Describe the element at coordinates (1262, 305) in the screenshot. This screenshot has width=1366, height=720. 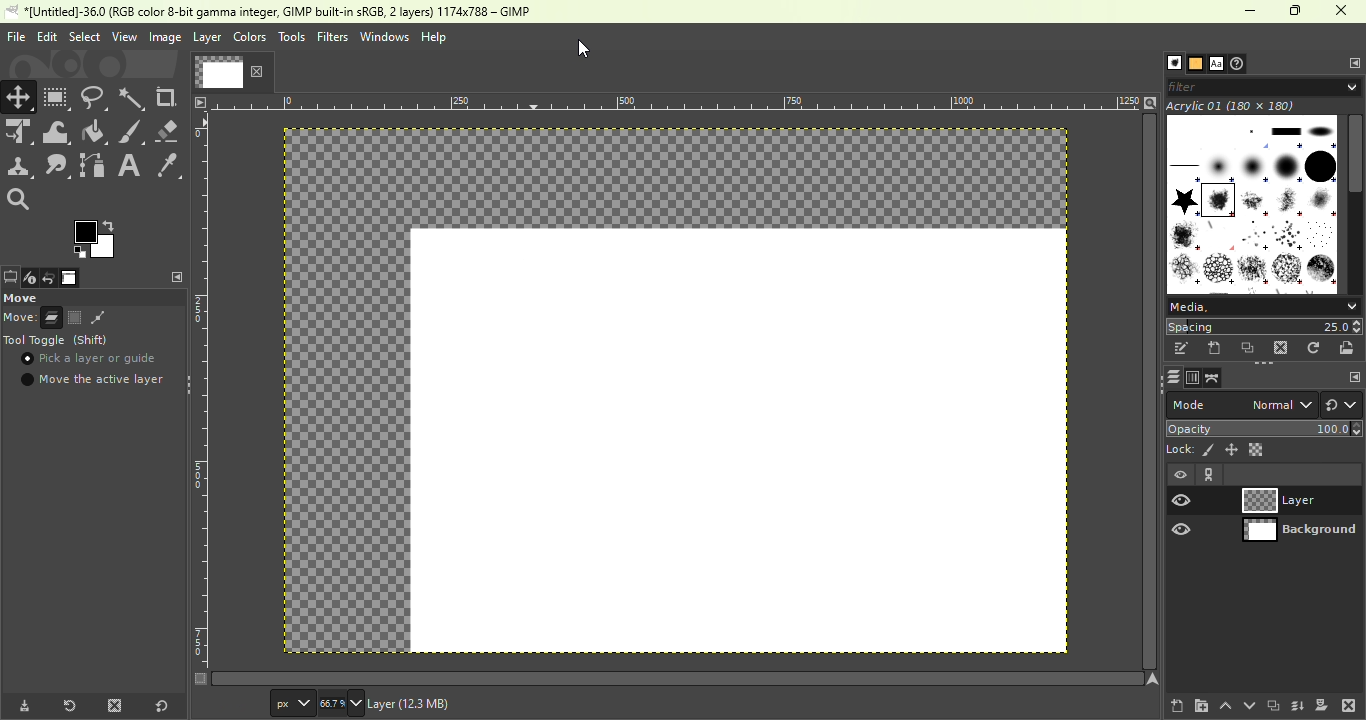
I see `Media` at that location.